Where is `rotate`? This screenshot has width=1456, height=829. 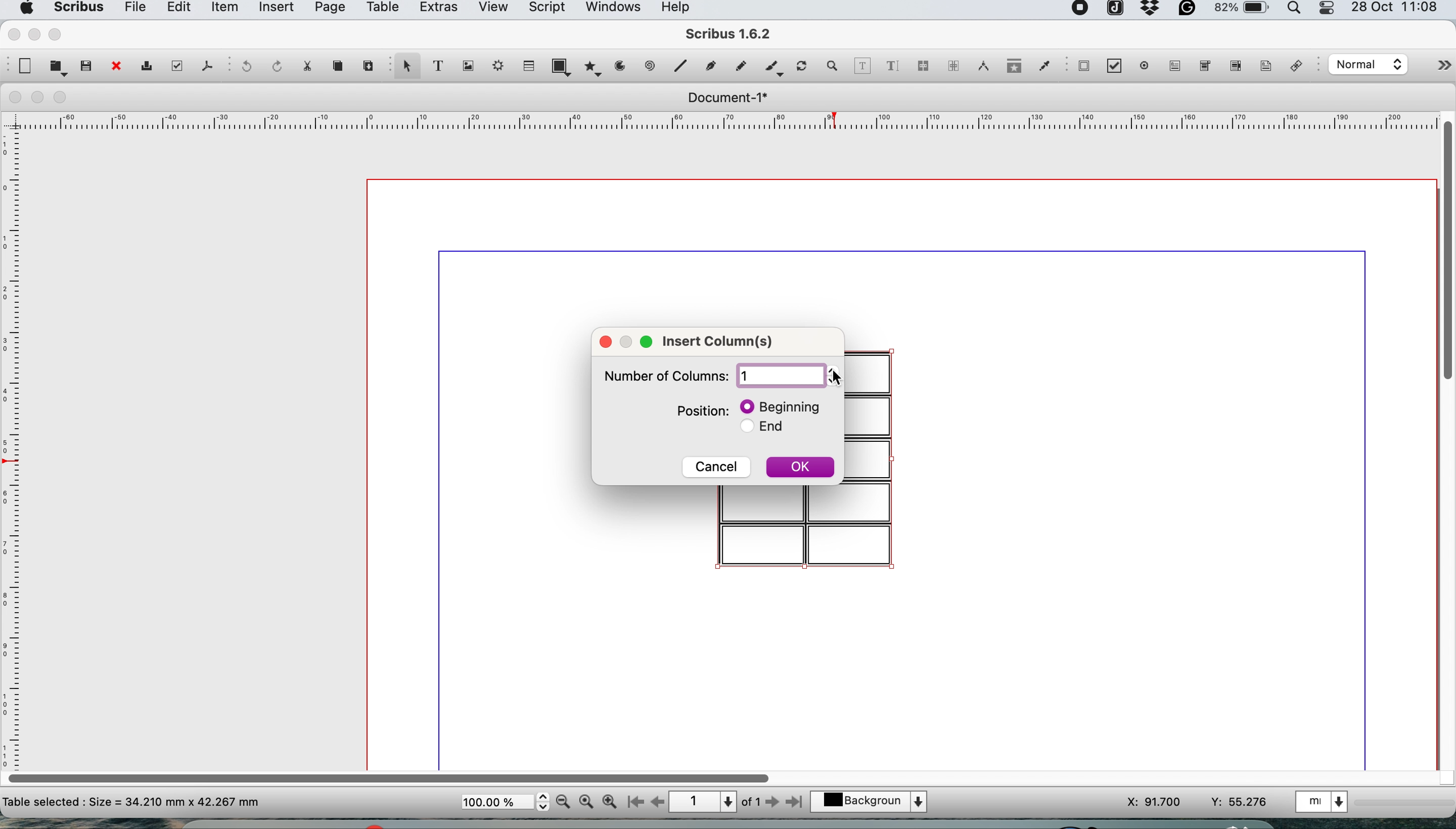
rotate is located at coordinates (803, 67).